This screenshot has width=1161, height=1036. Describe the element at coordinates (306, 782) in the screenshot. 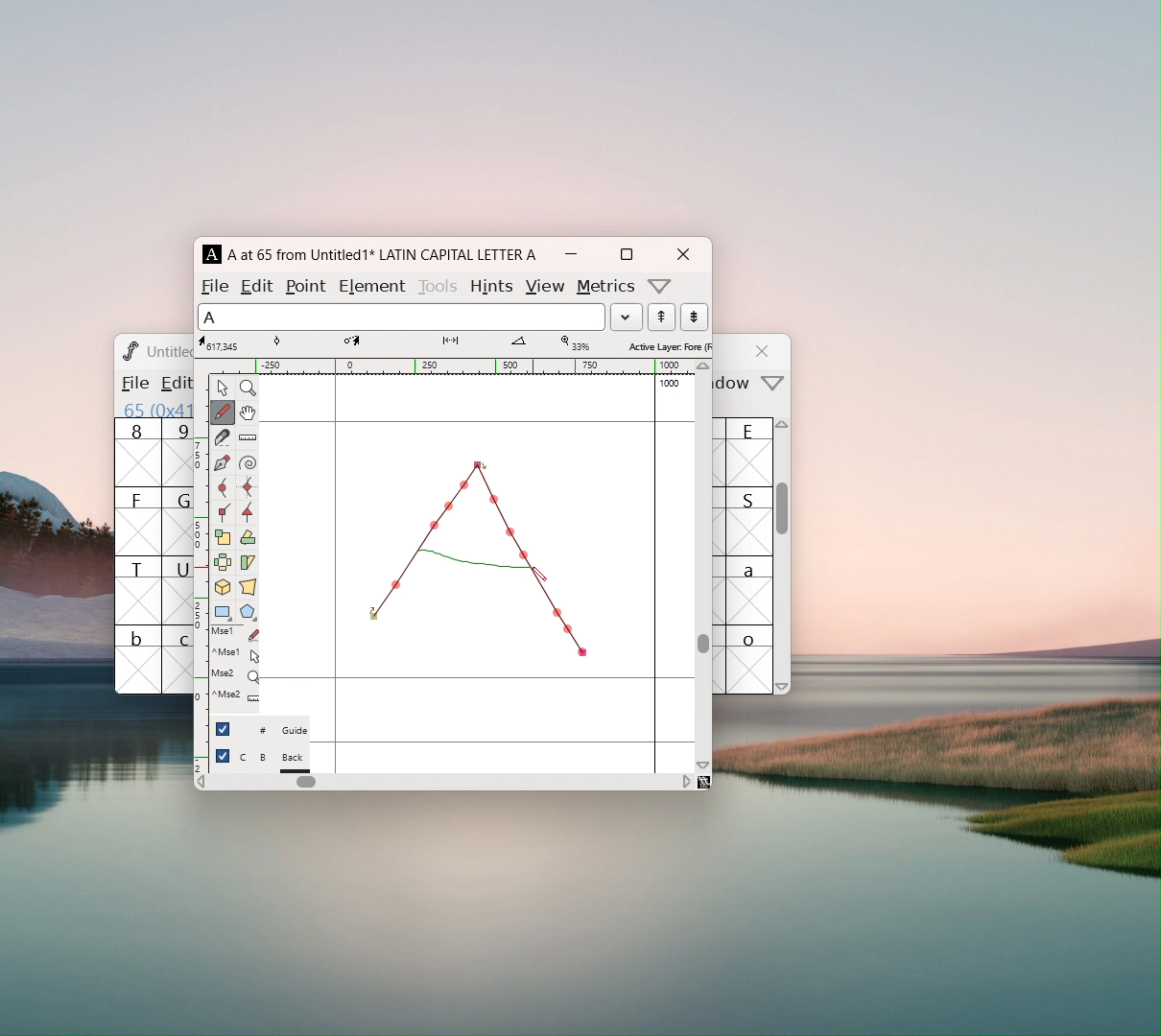

I see `horizontal scrollbar` at that location.